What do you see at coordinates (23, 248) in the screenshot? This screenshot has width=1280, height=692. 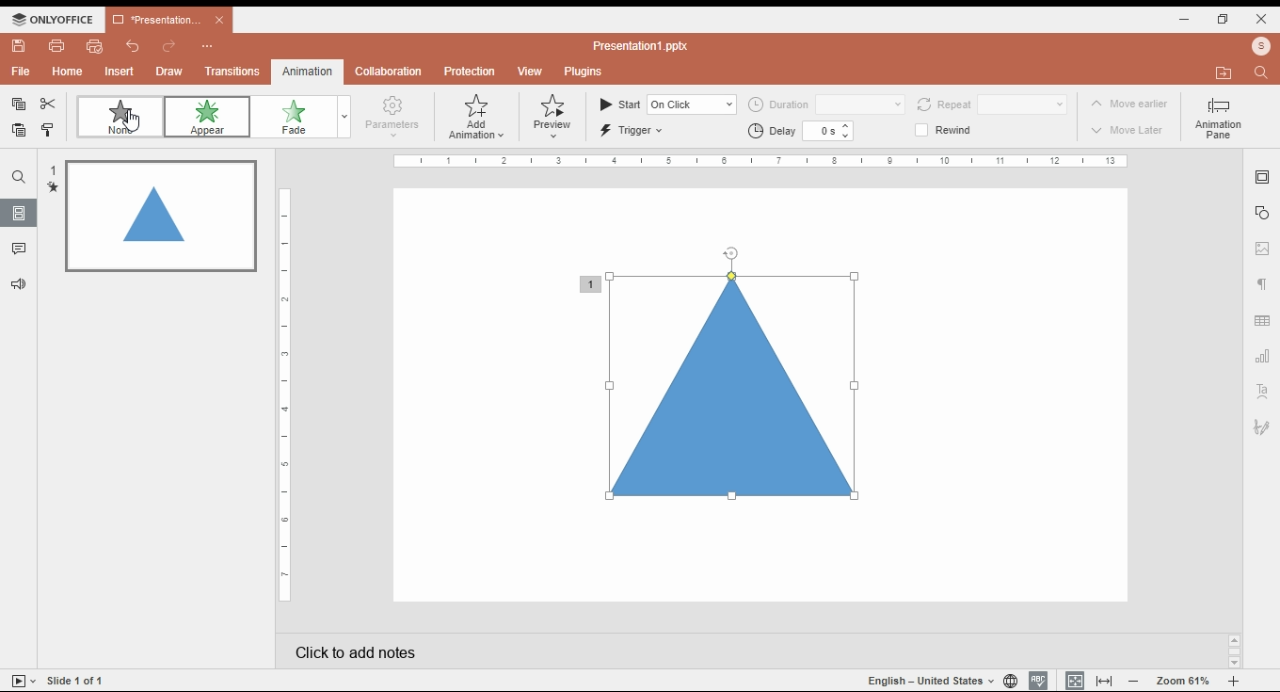 I see `comments` at bounding box center [23, 248].